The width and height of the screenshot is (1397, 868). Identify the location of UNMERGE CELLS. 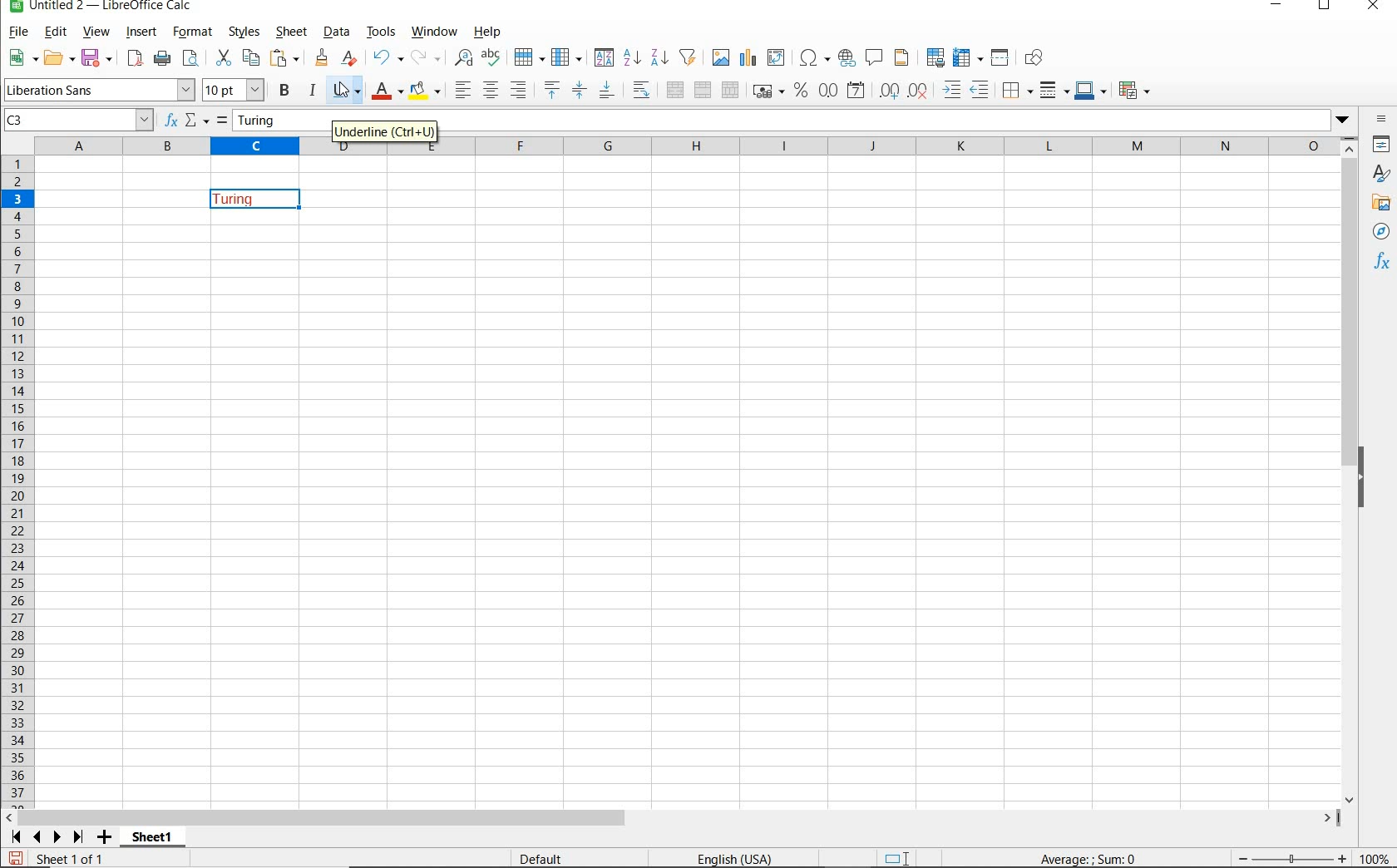
(731, 91).